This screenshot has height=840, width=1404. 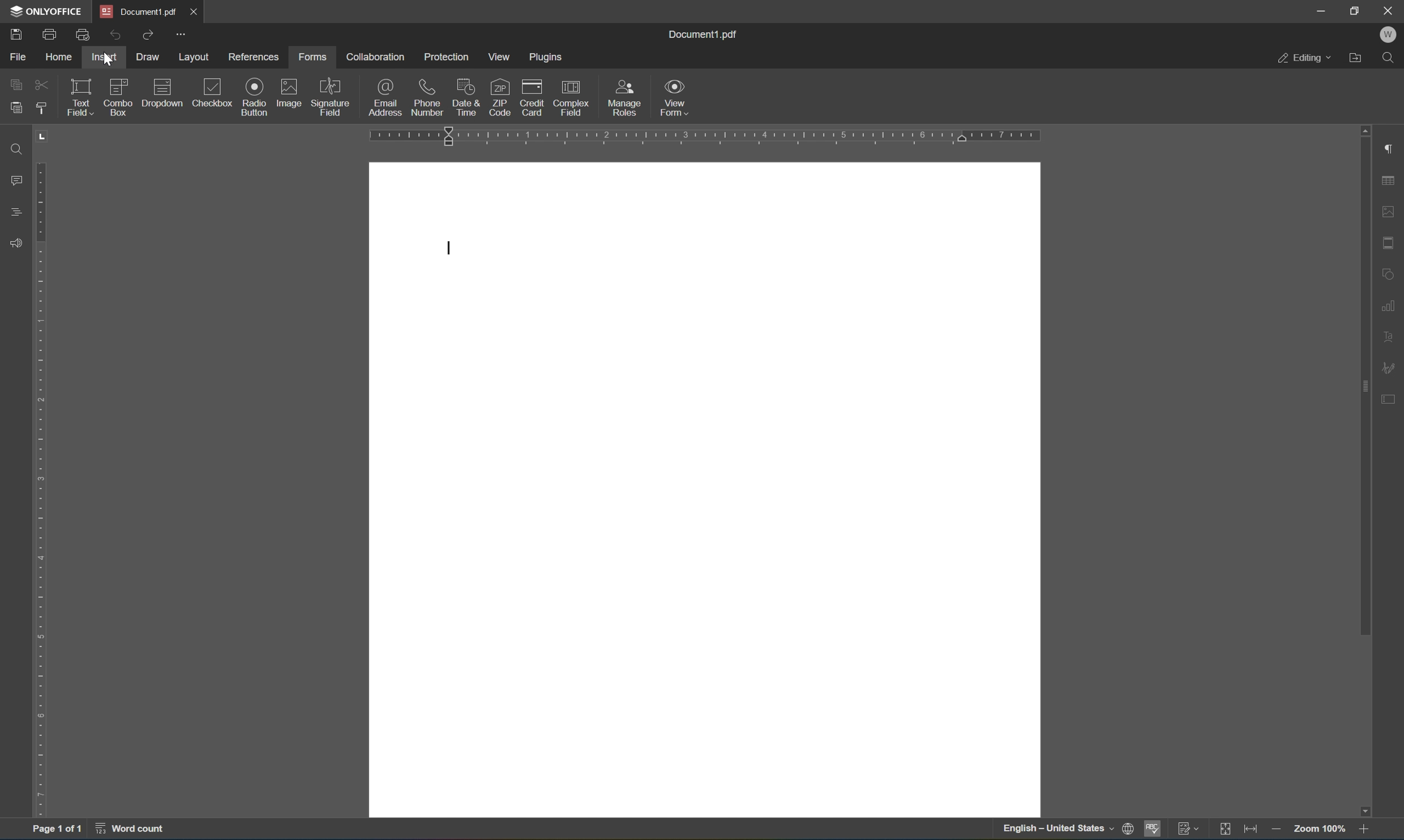 What do you see at coordinates (145, 34) in the screenshot?
I see `Redo` at bounding box center [145, 34].